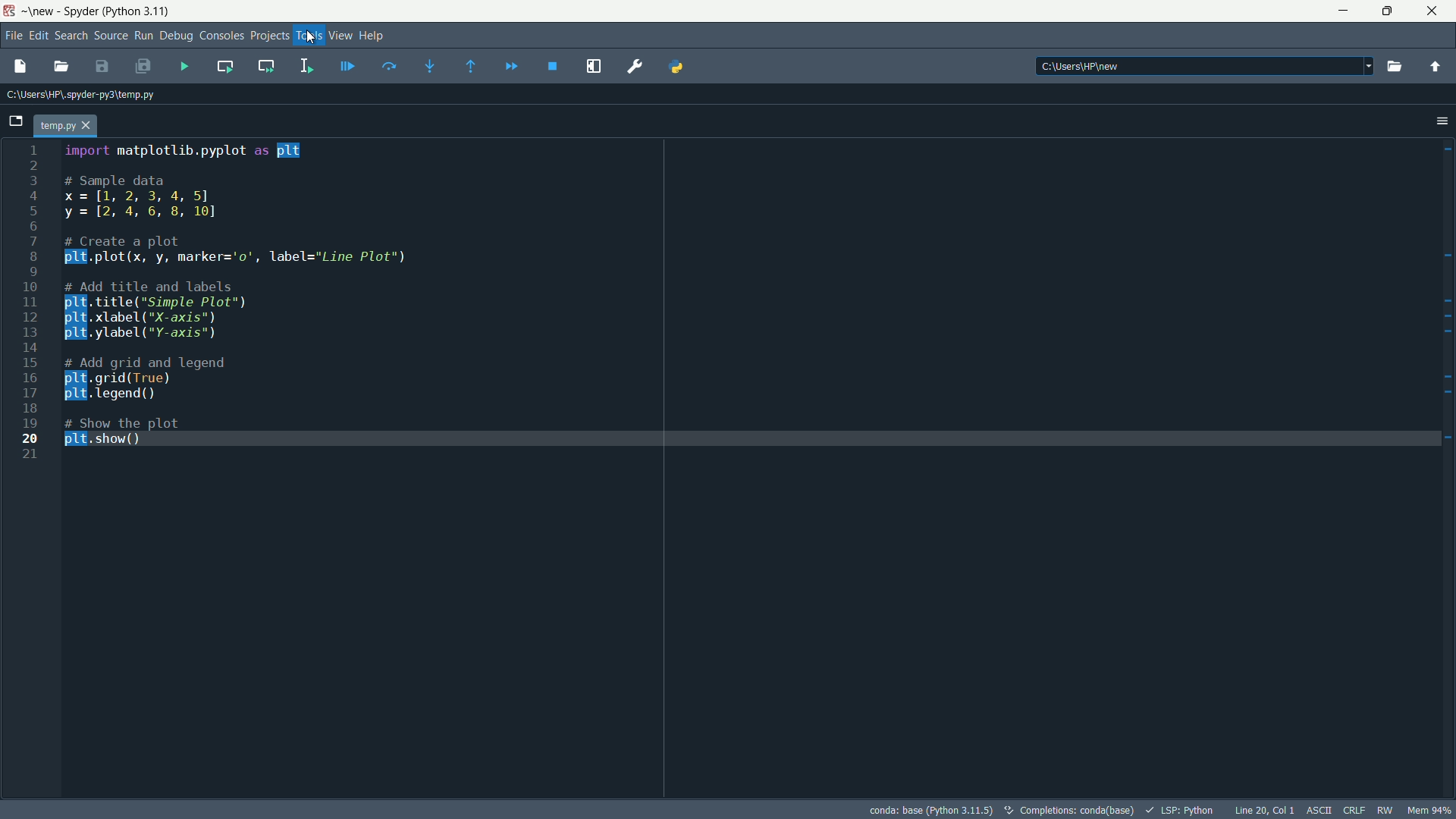  What do you see at coordinates (1385, 810) in the screenshot?
I see `rw` at bounding box center [1385, 810].